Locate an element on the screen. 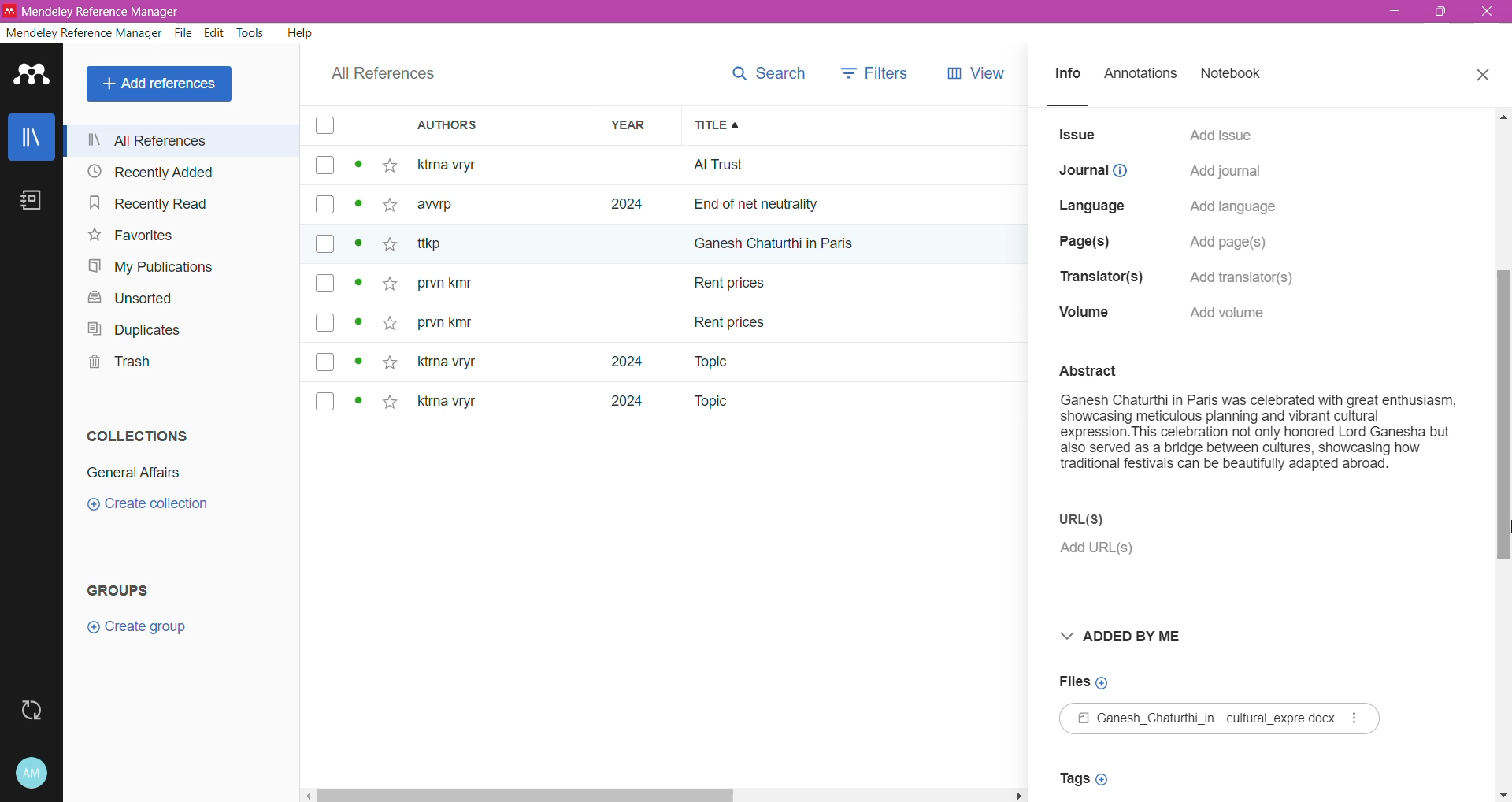 Image resolution: width=1512 pixels, height=802 pixels. Favorites is located at coordinates (130, 236).